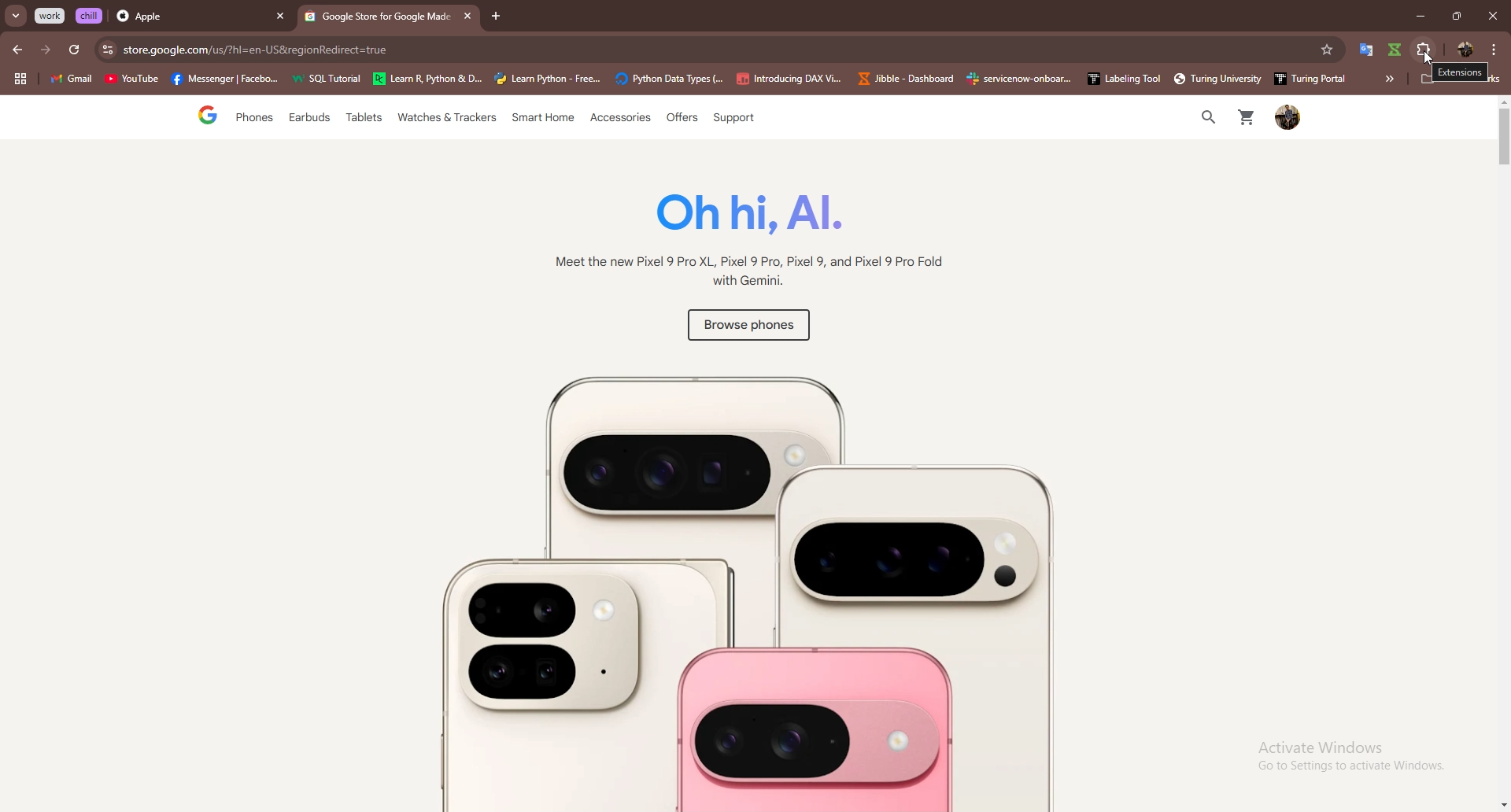 Image resolution: width=1511 pixels, height=812 pixels. I want to click on back, so click(19, 50).